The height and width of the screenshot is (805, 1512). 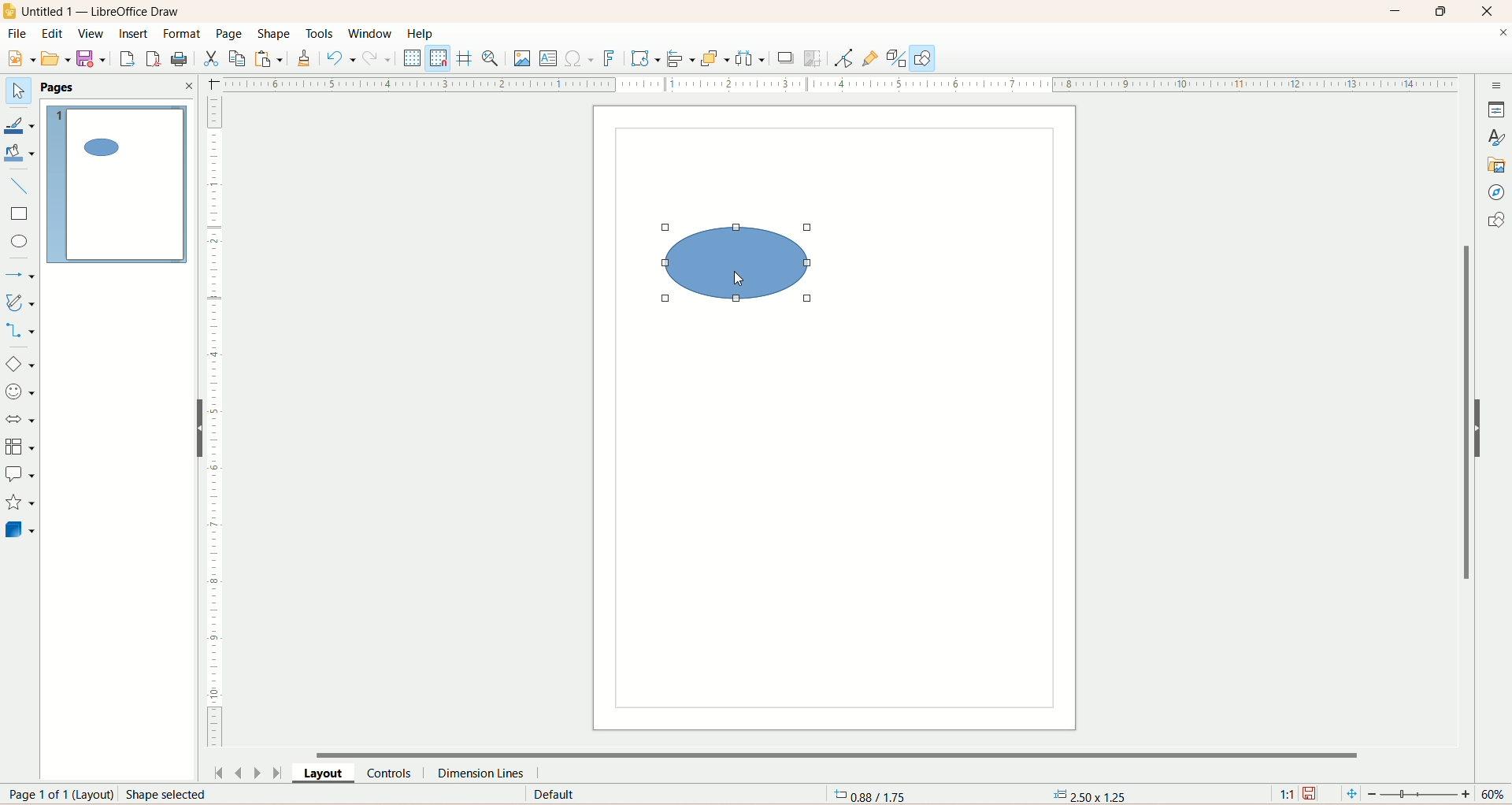 I want to click on maximize, so click(x=1440, y=11).